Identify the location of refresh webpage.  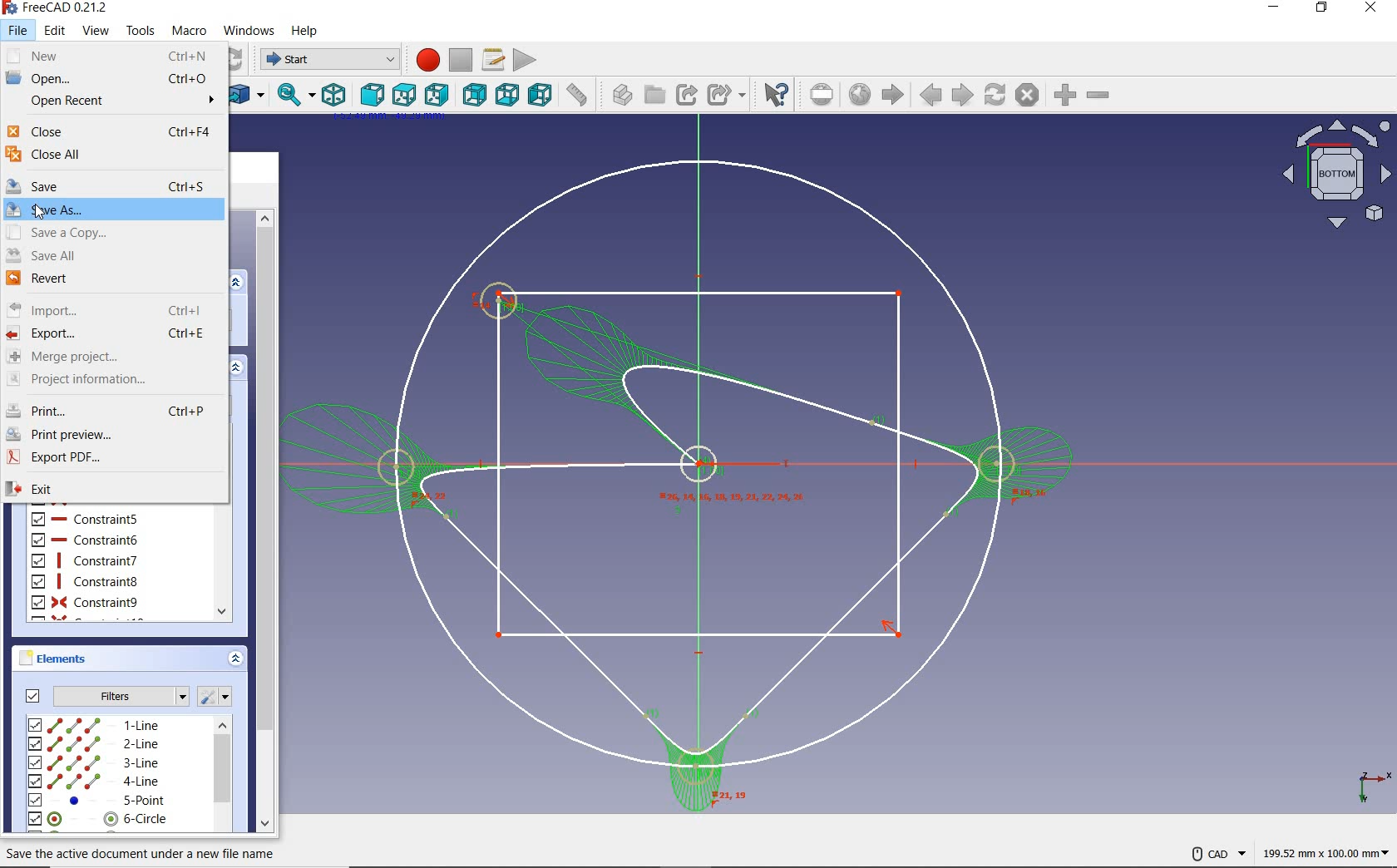
(996, 96).